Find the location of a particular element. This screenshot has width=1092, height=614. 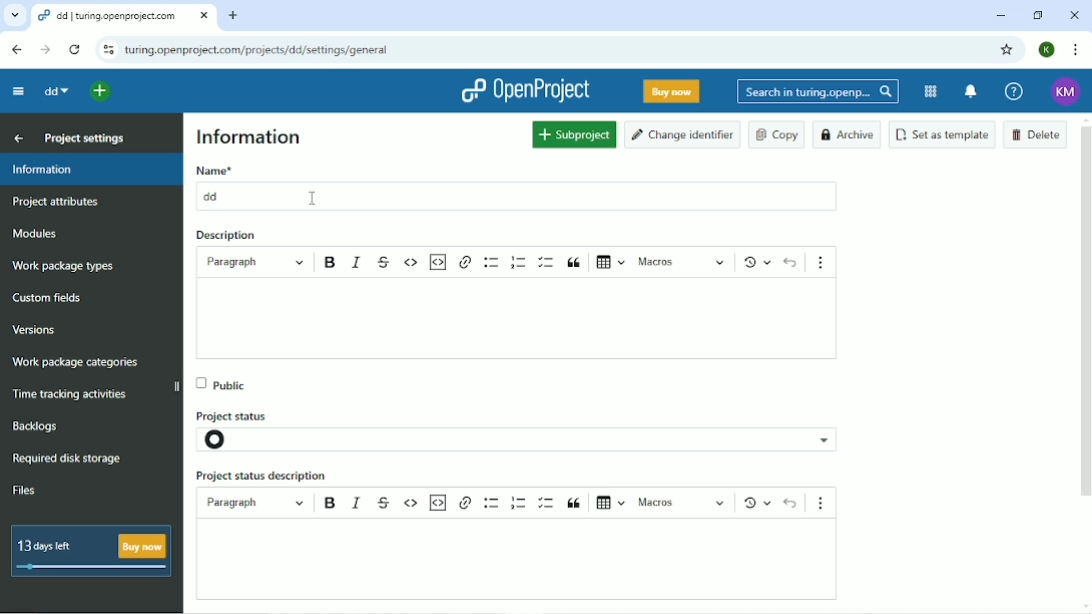

to do lisr is located at coordinates (547, 501).